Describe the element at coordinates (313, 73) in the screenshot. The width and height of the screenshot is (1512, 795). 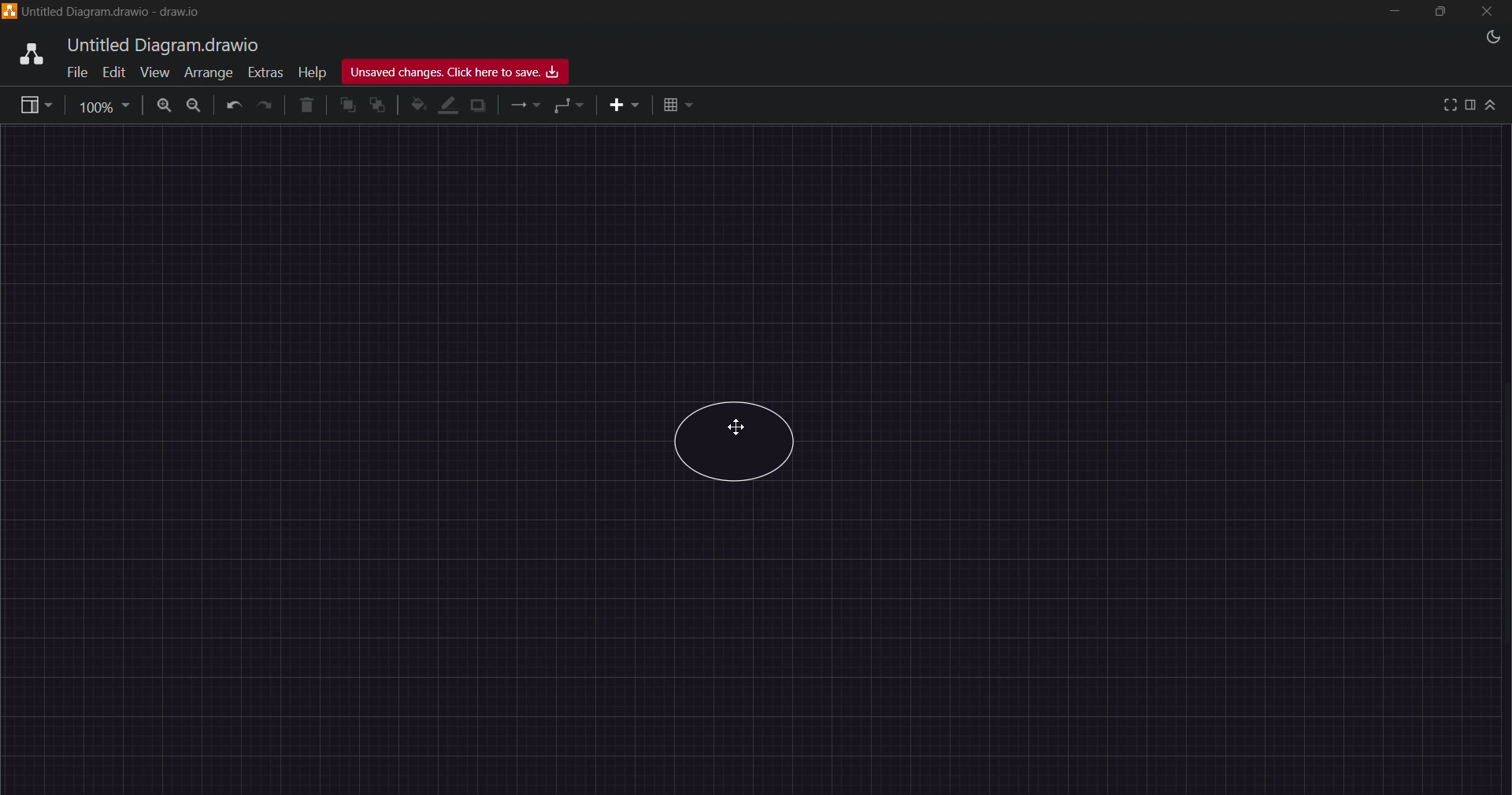
I see `help` at that location.